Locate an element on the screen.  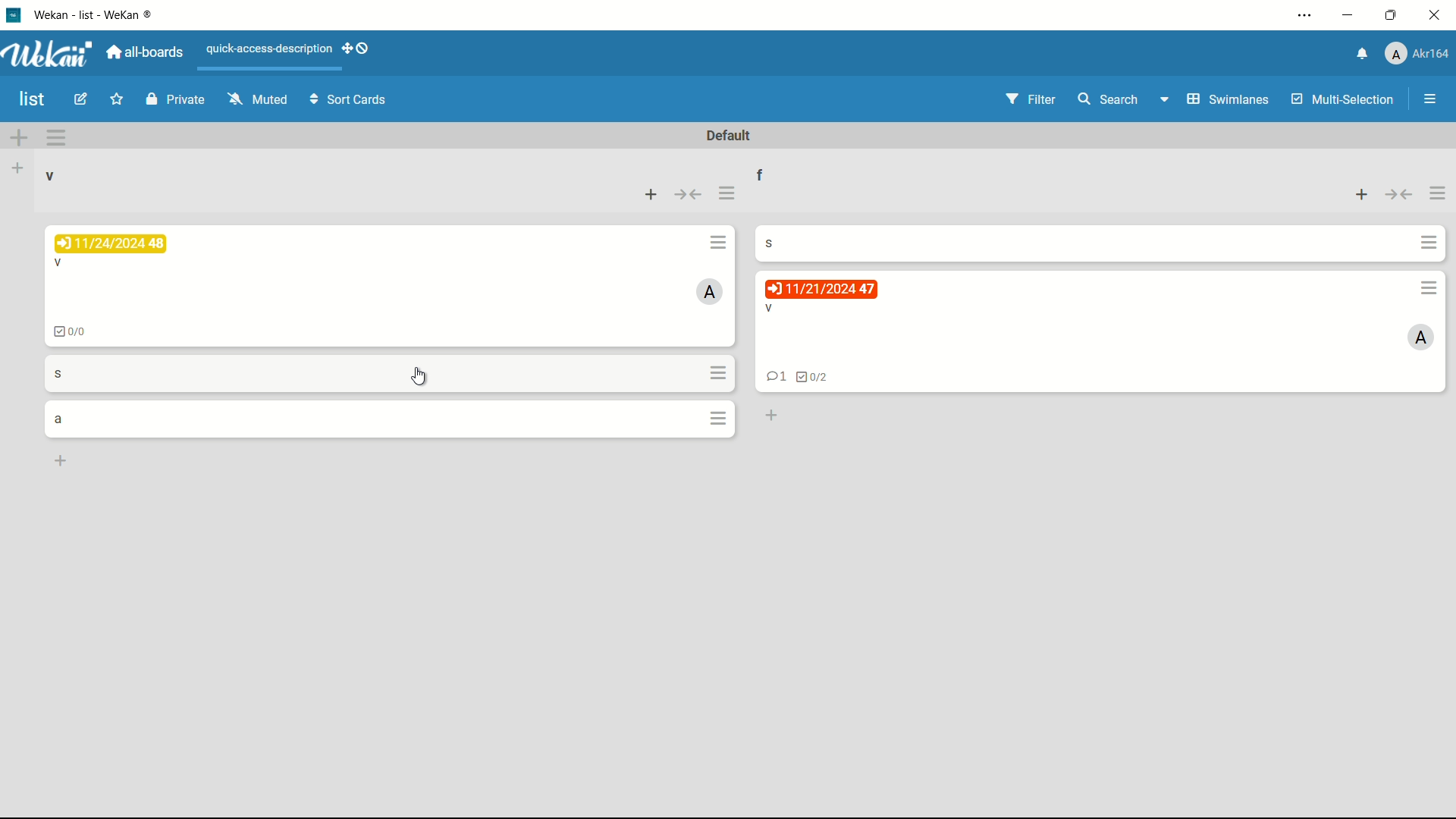
11/24/2024 48 is located at coordinates (111, 243).